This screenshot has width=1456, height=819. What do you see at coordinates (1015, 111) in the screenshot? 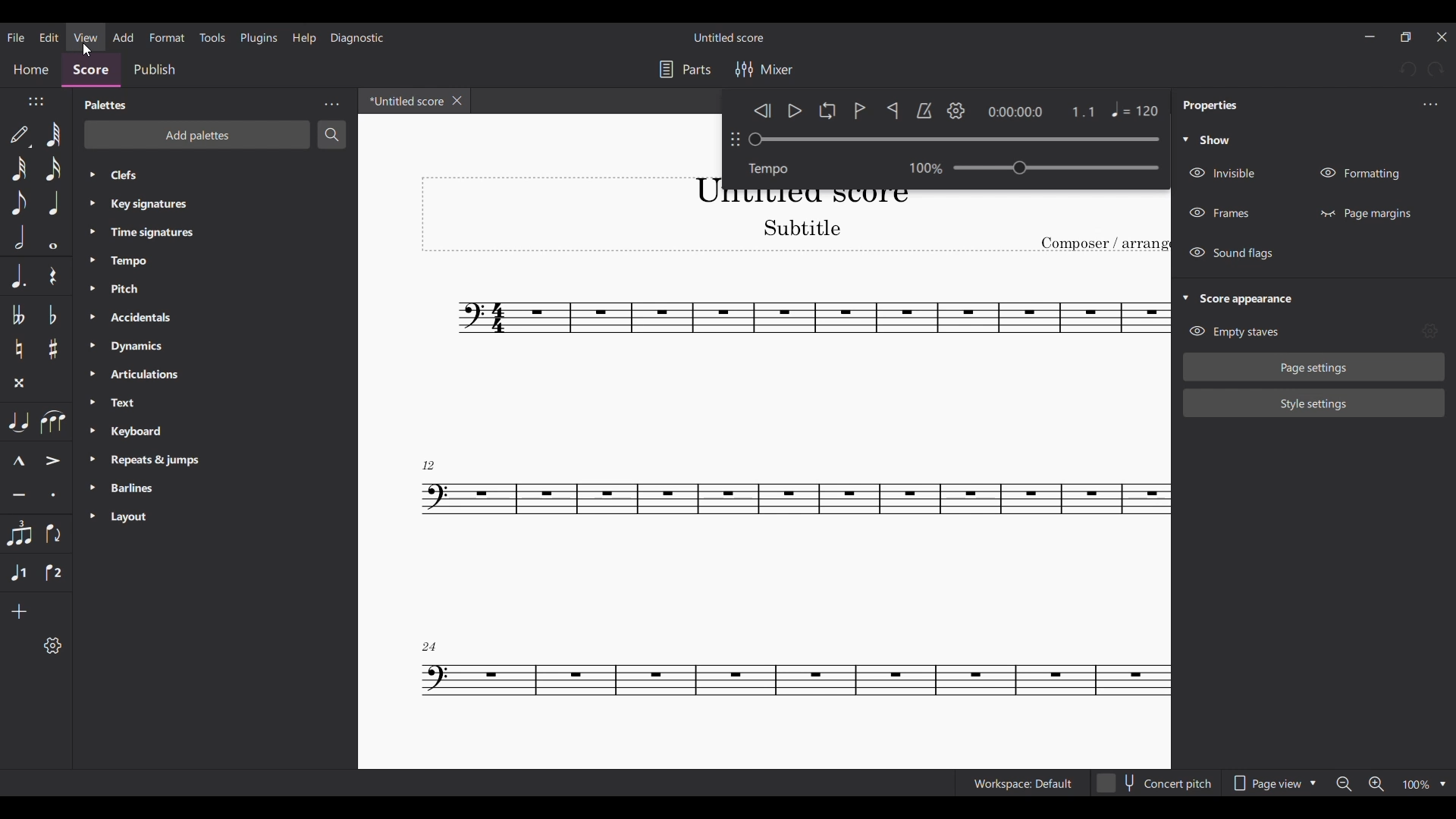
I see `0:00:00:0` at bounding box center [1015, 111].